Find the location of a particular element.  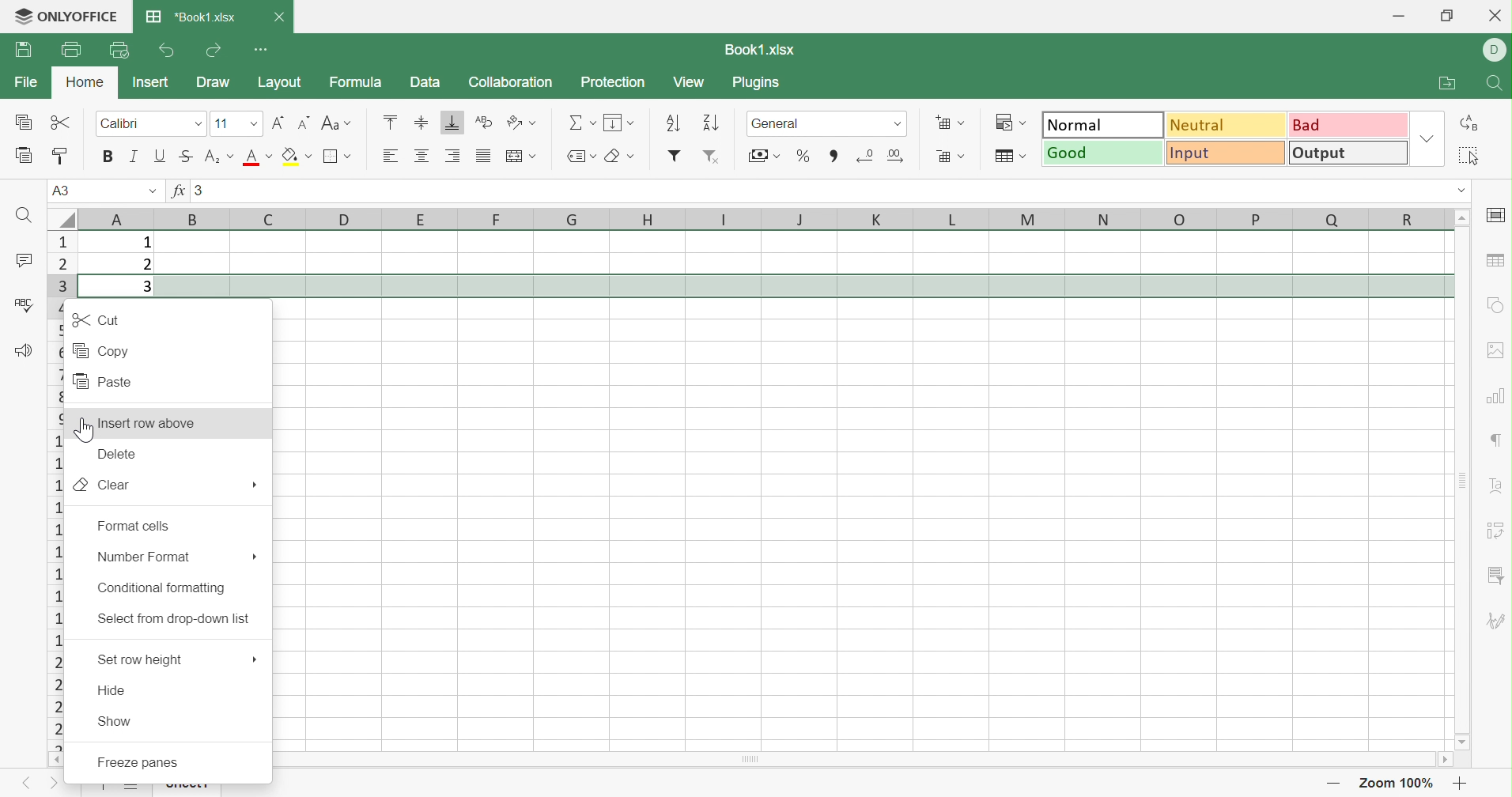

More is located at coordinates (252, 554).